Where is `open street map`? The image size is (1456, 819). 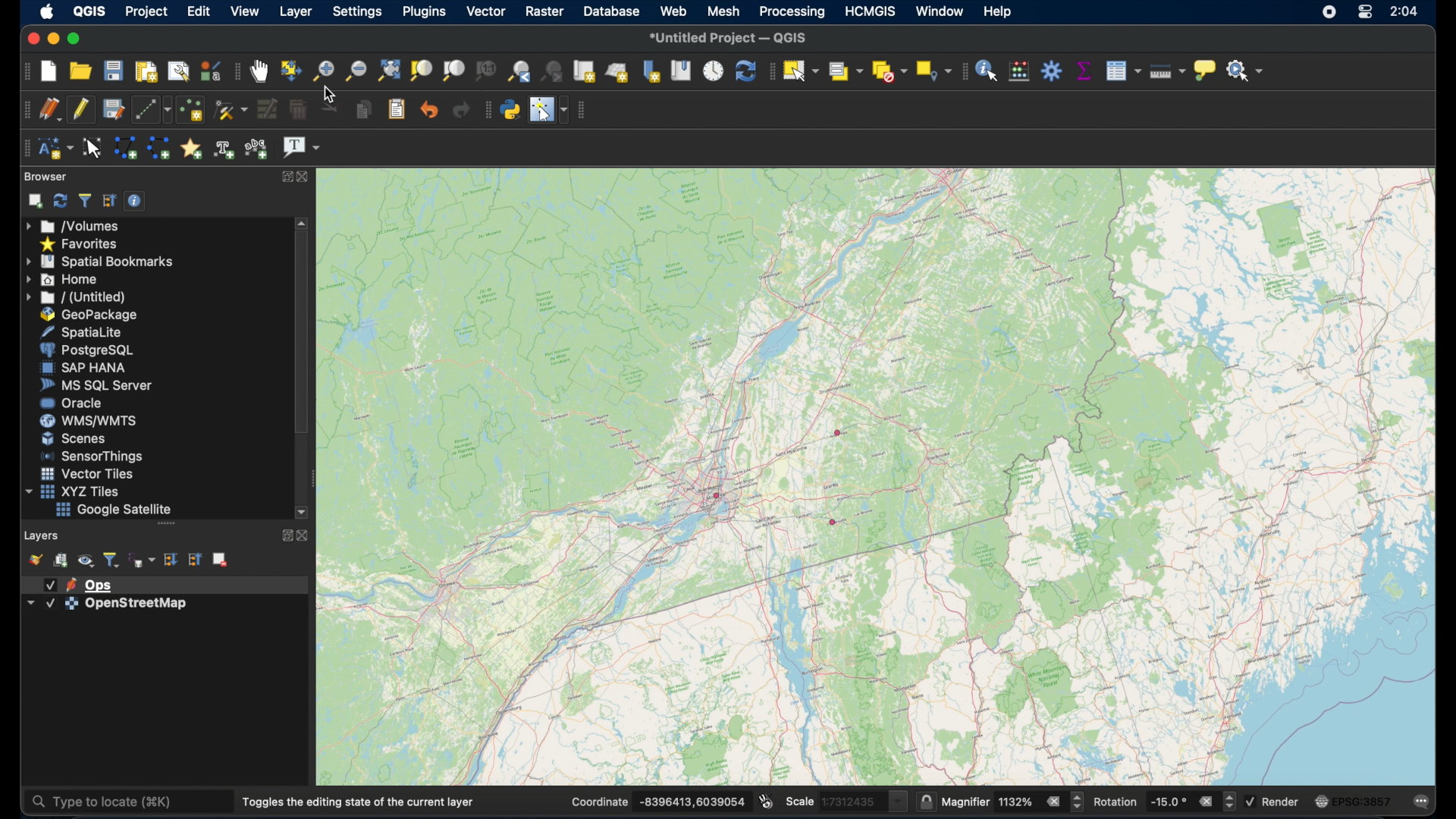
open street map is located at coordinates (873, 293).